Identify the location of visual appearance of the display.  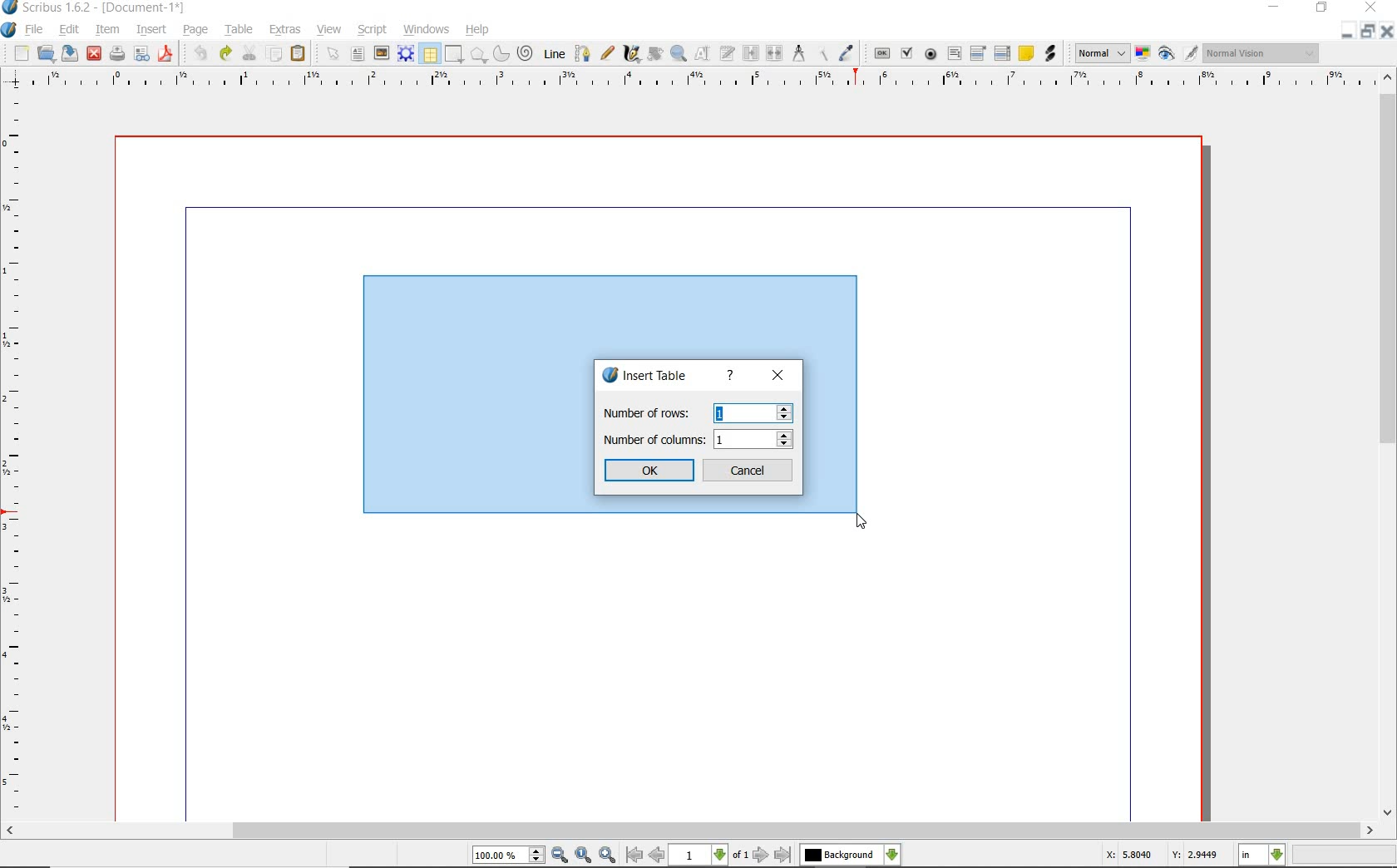
(1259, 53).